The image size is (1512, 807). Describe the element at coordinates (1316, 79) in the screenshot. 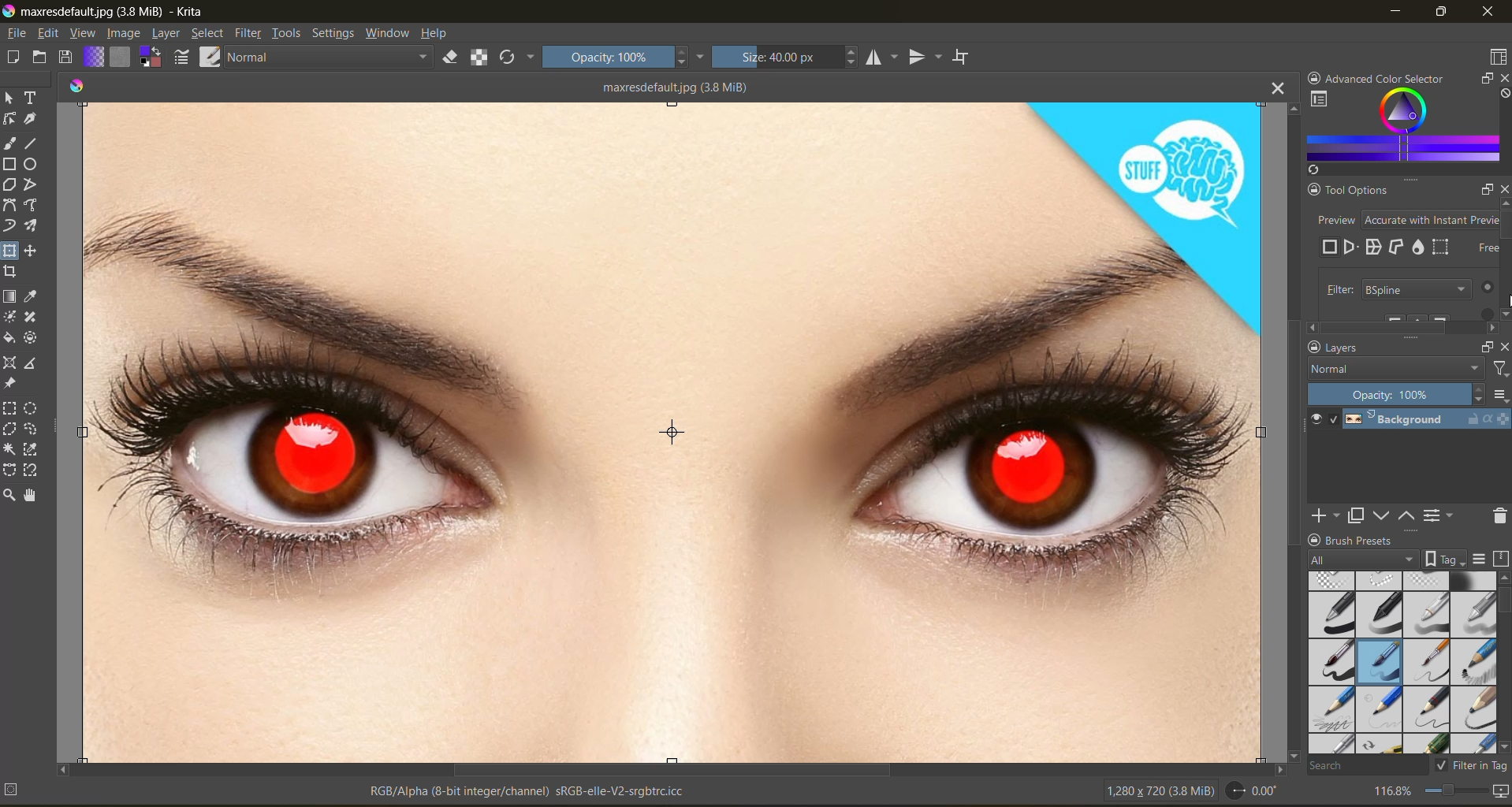

I see `lock docker` at that location.